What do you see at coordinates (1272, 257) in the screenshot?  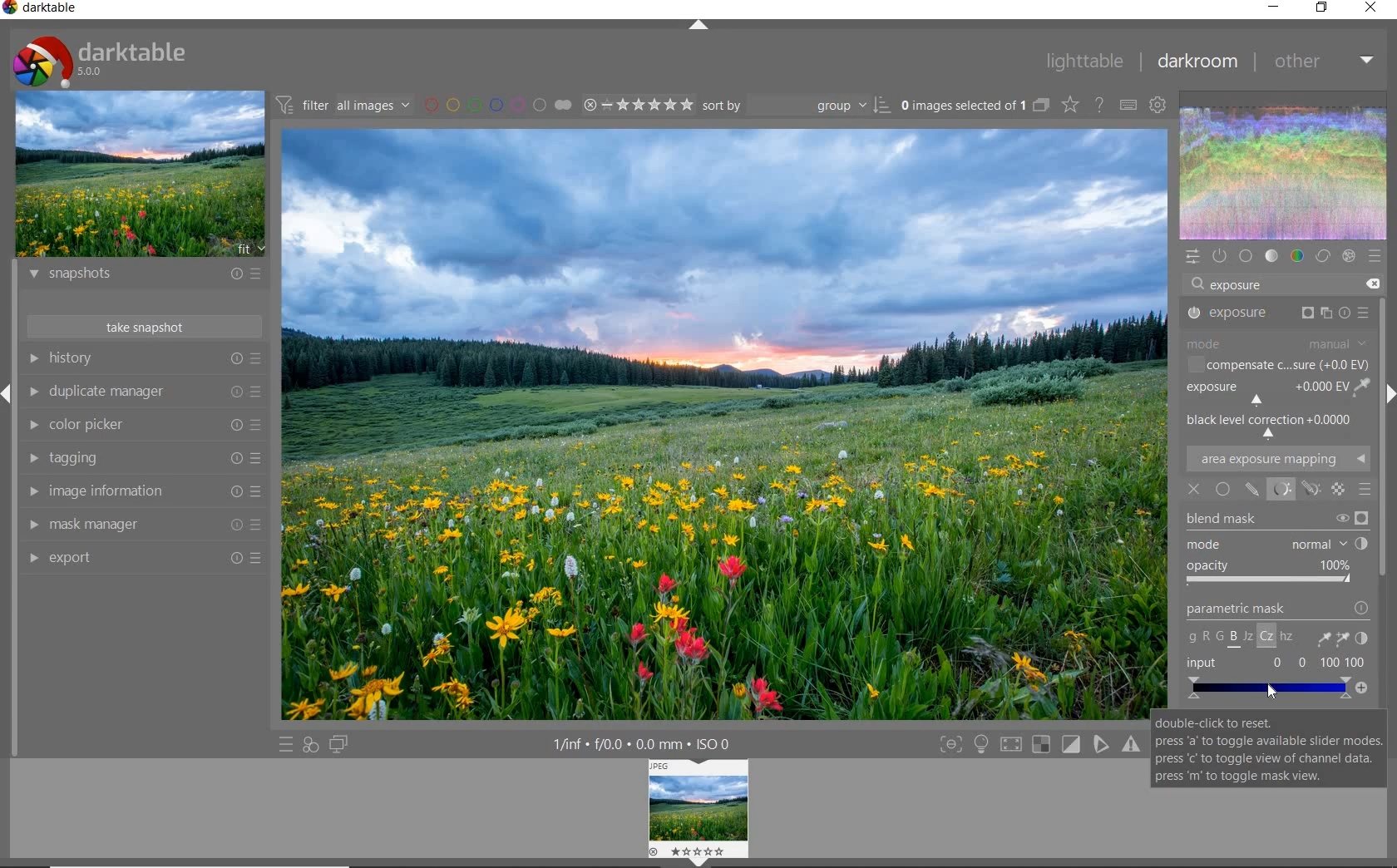 I see `tone` at bounding box center [1272, 257].